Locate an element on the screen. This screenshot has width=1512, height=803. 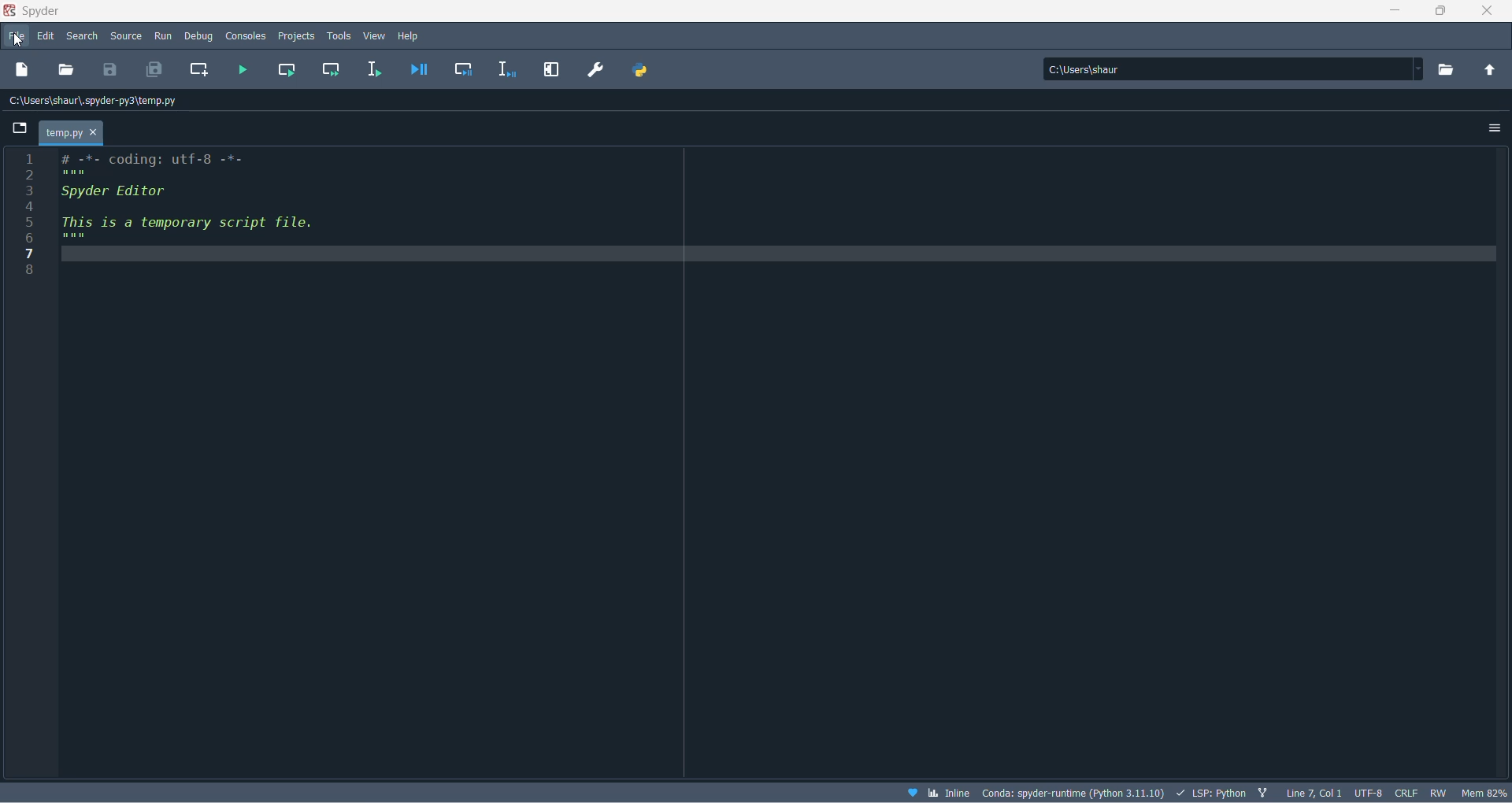
file permission is located at coordinates (1438, 793).